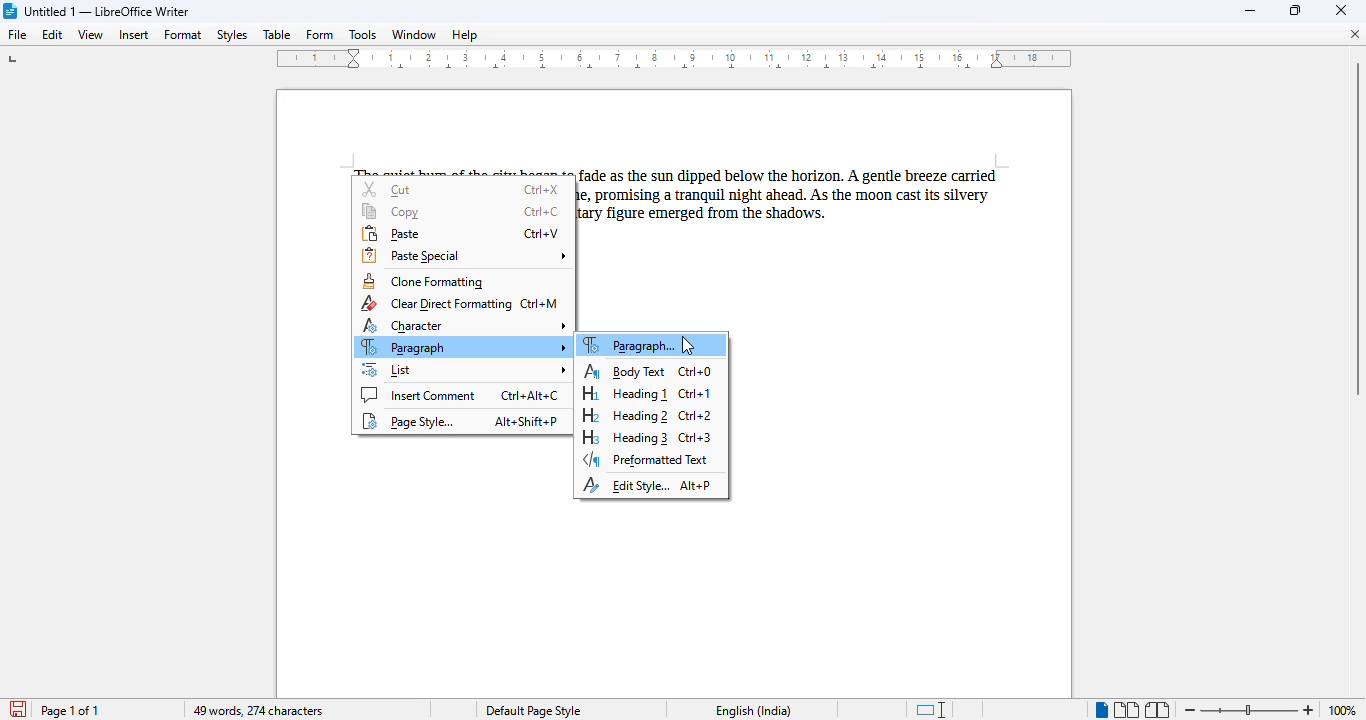  Describe the element at coordinates (17, 34) in the screenshot. I see `file` at that location.